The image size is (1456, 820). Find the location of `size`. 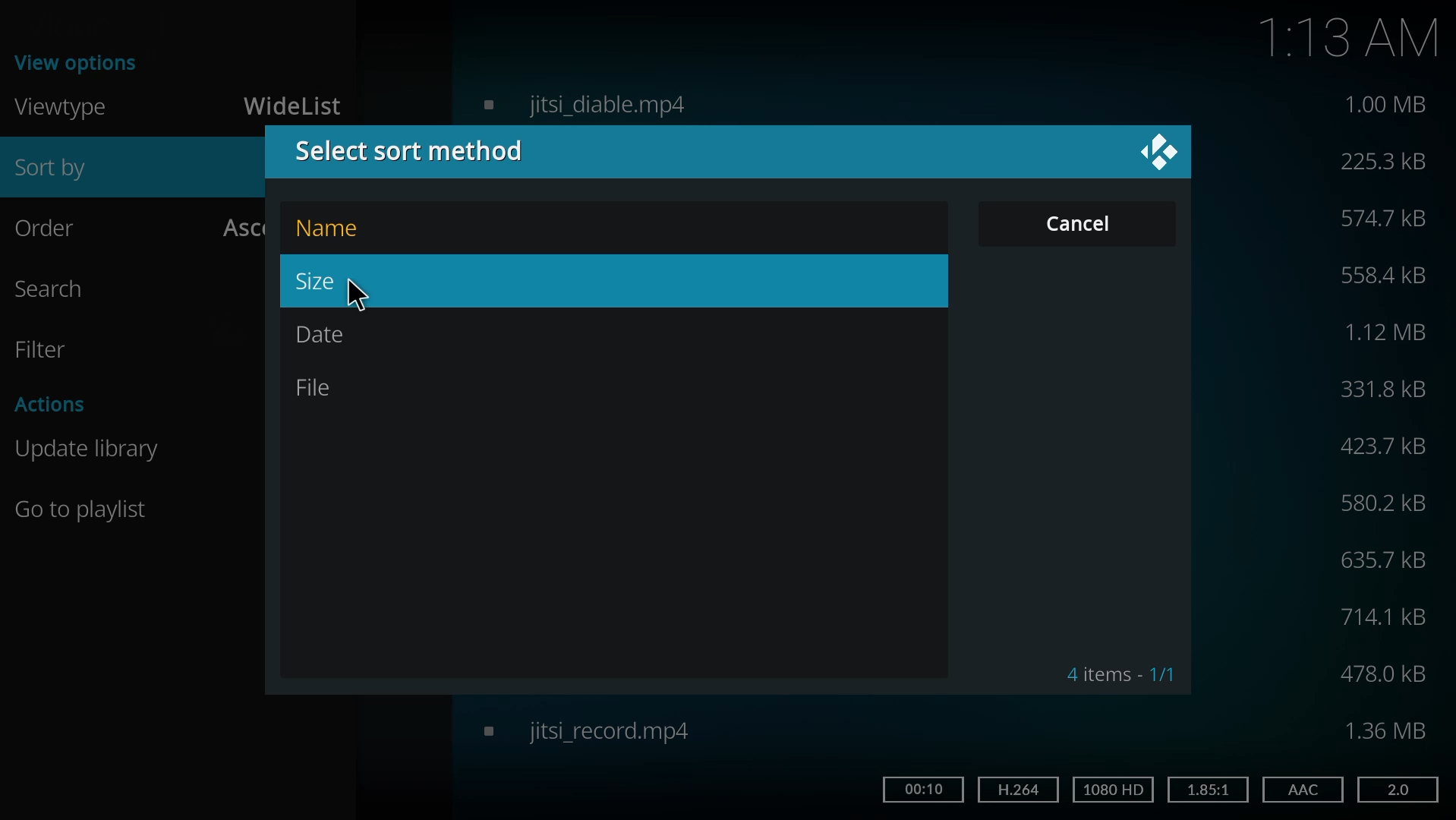

size is located at coordinates (1375, 222).